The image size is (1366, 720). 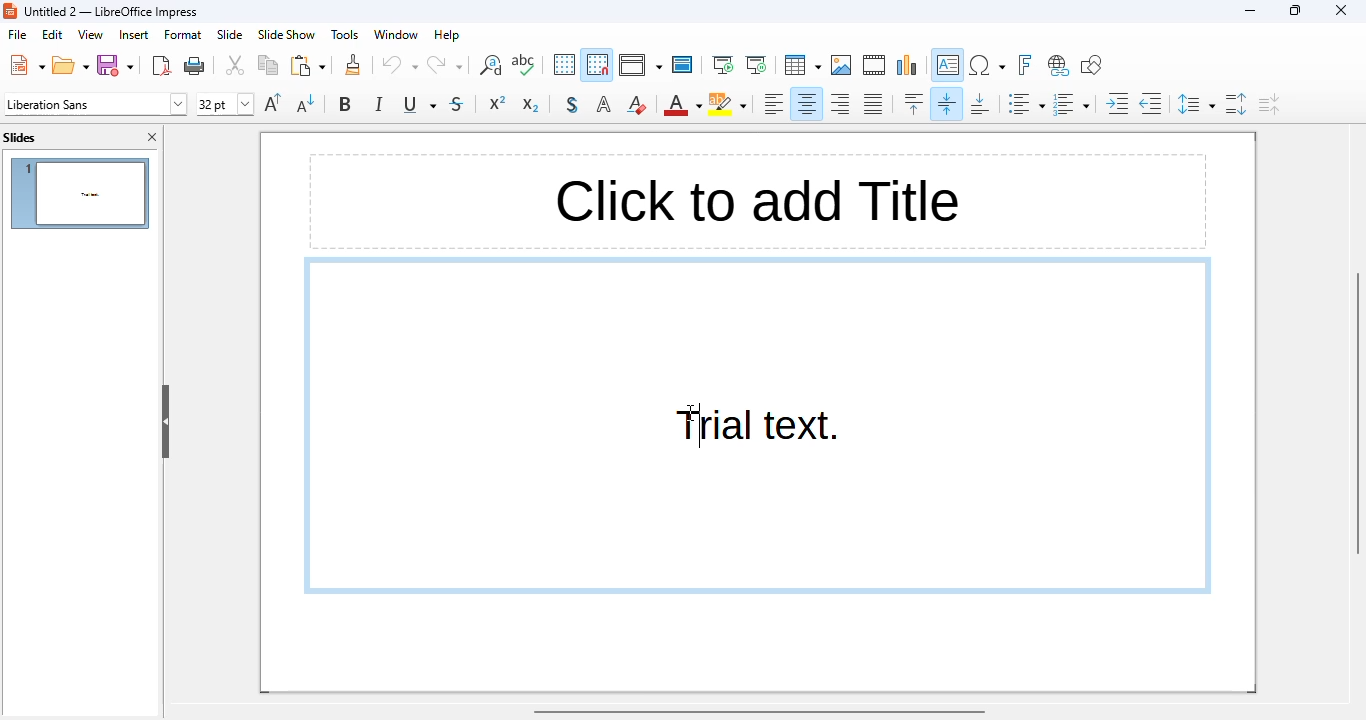 I want to click on decrease paragraph spacing, so click(x=1269, y=105).